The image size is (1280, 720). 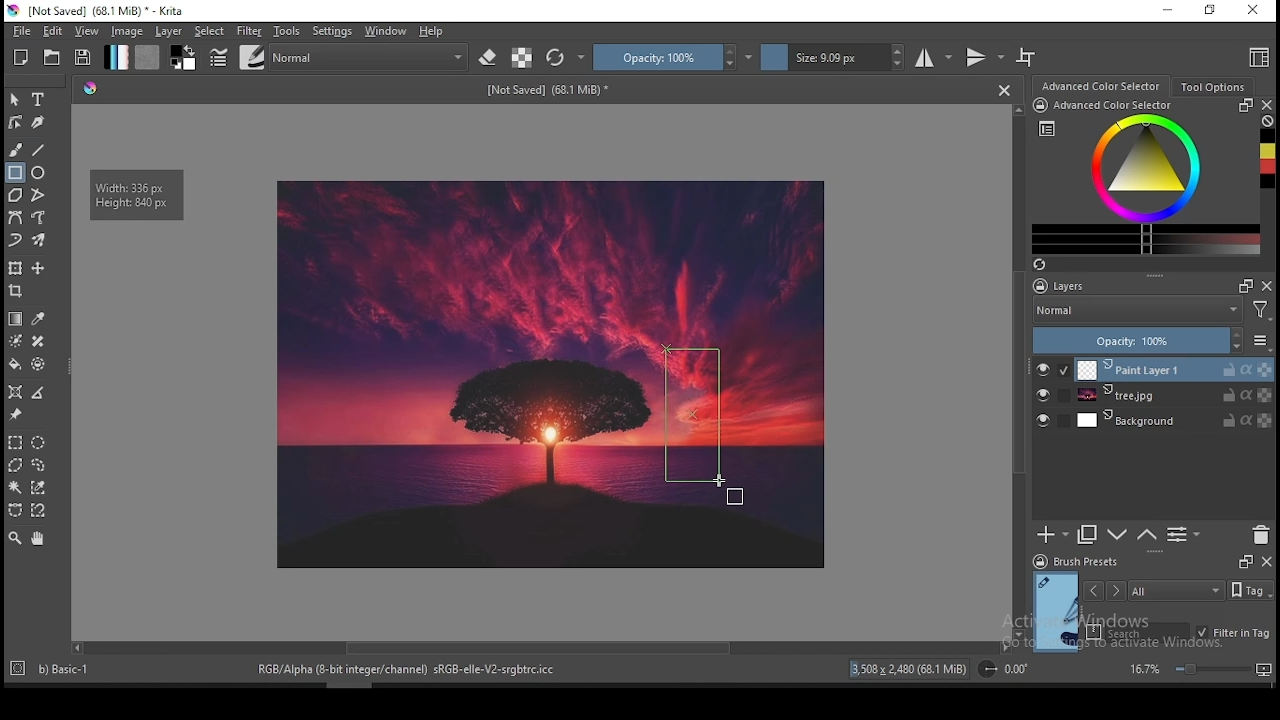 I want to click on scroll bar, so click(x=343, y=684).